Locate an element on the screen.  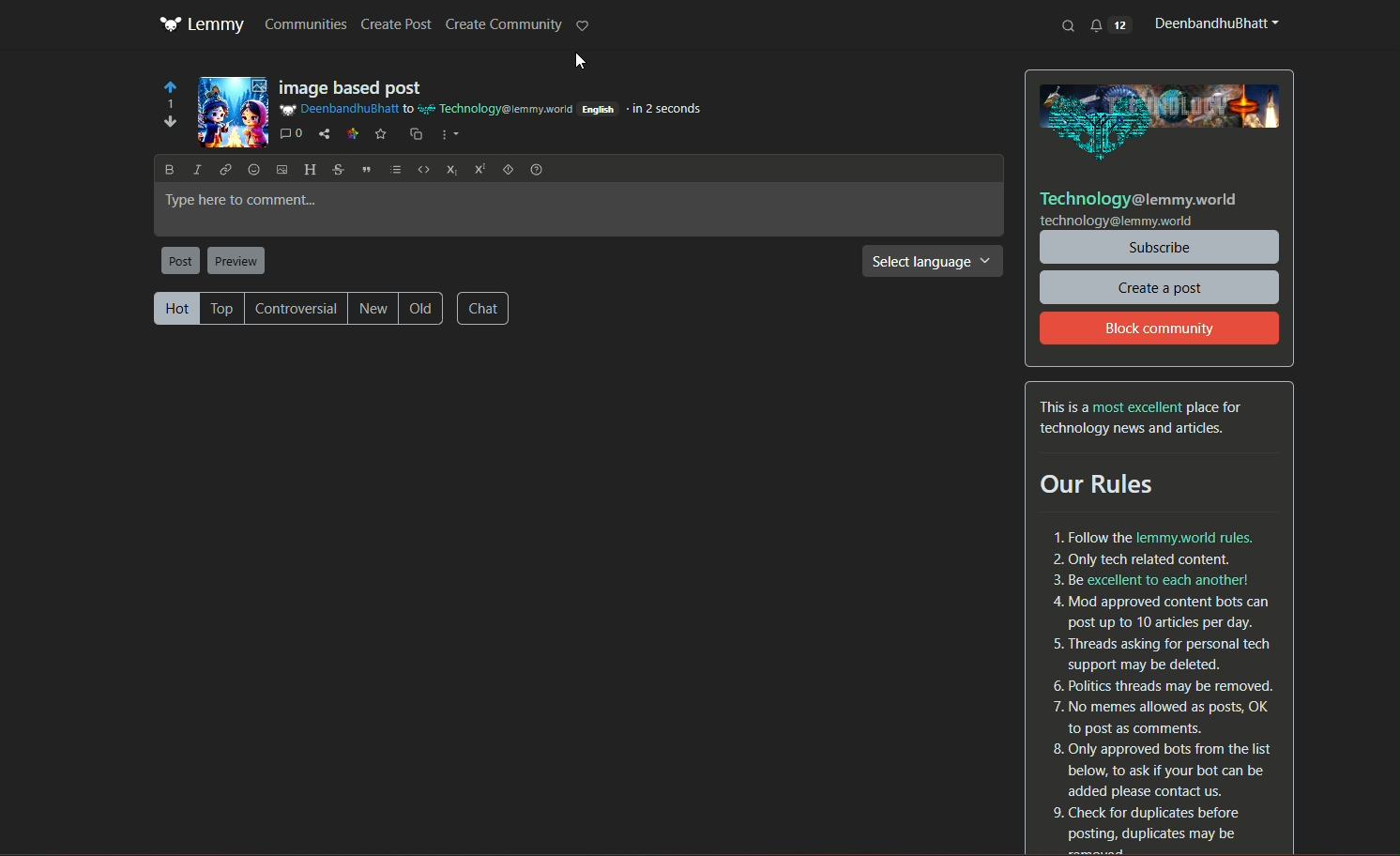
save is located at coordinates (379, 132).